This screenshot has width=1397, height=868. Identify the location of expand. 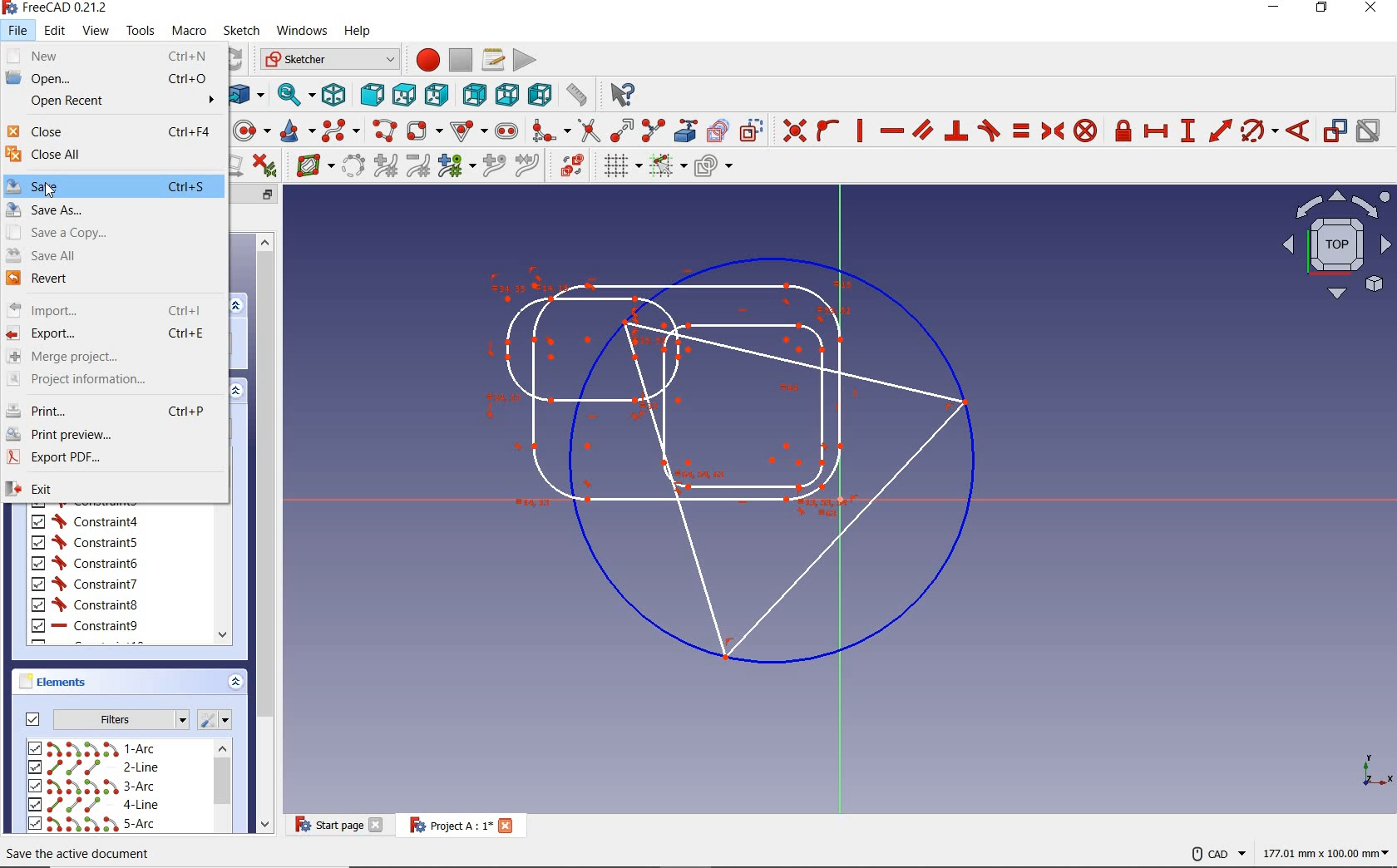
(234, 682).